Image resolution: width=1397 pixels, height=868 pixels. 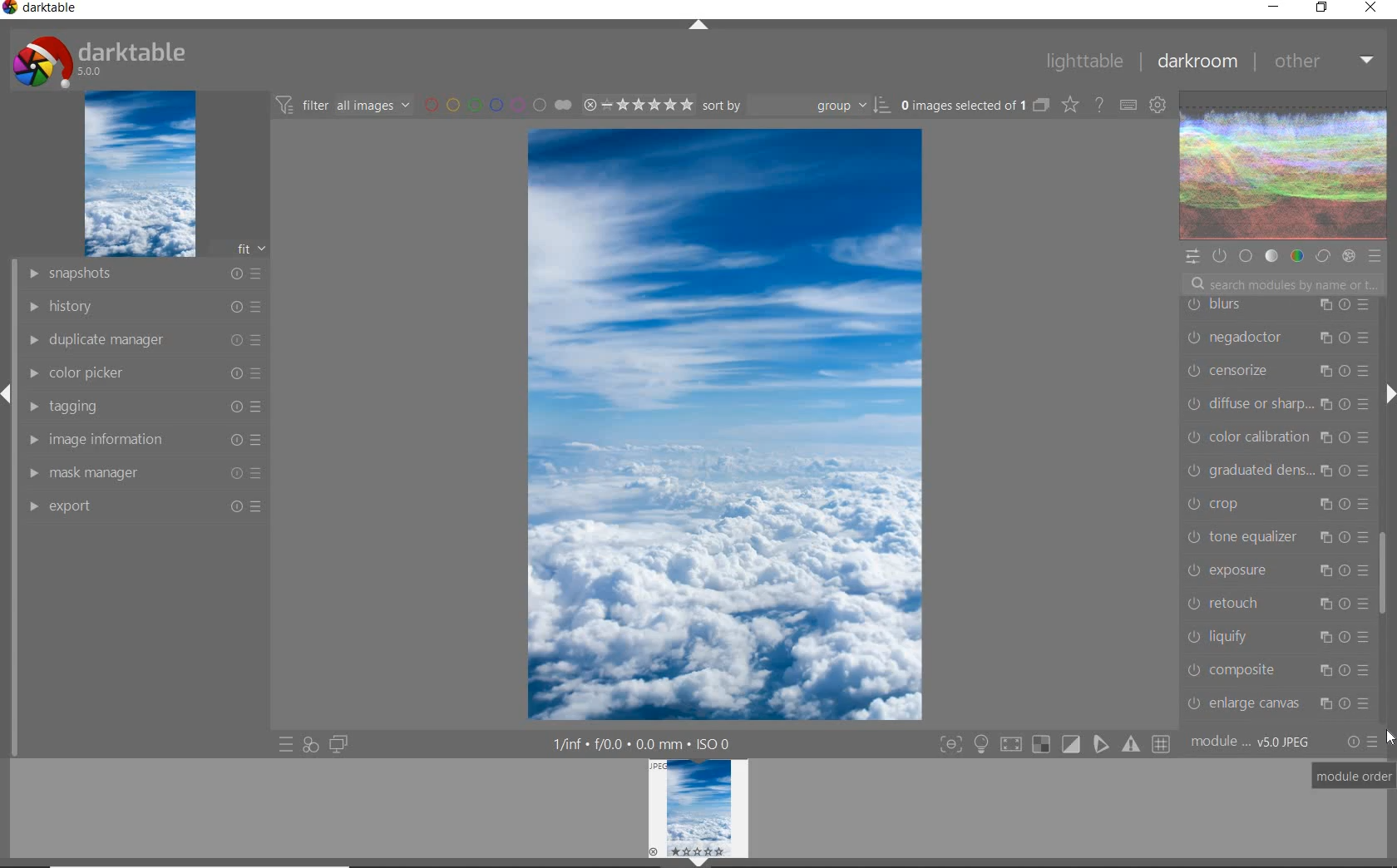 I want to click on Next, so click(x=1389, y=394).